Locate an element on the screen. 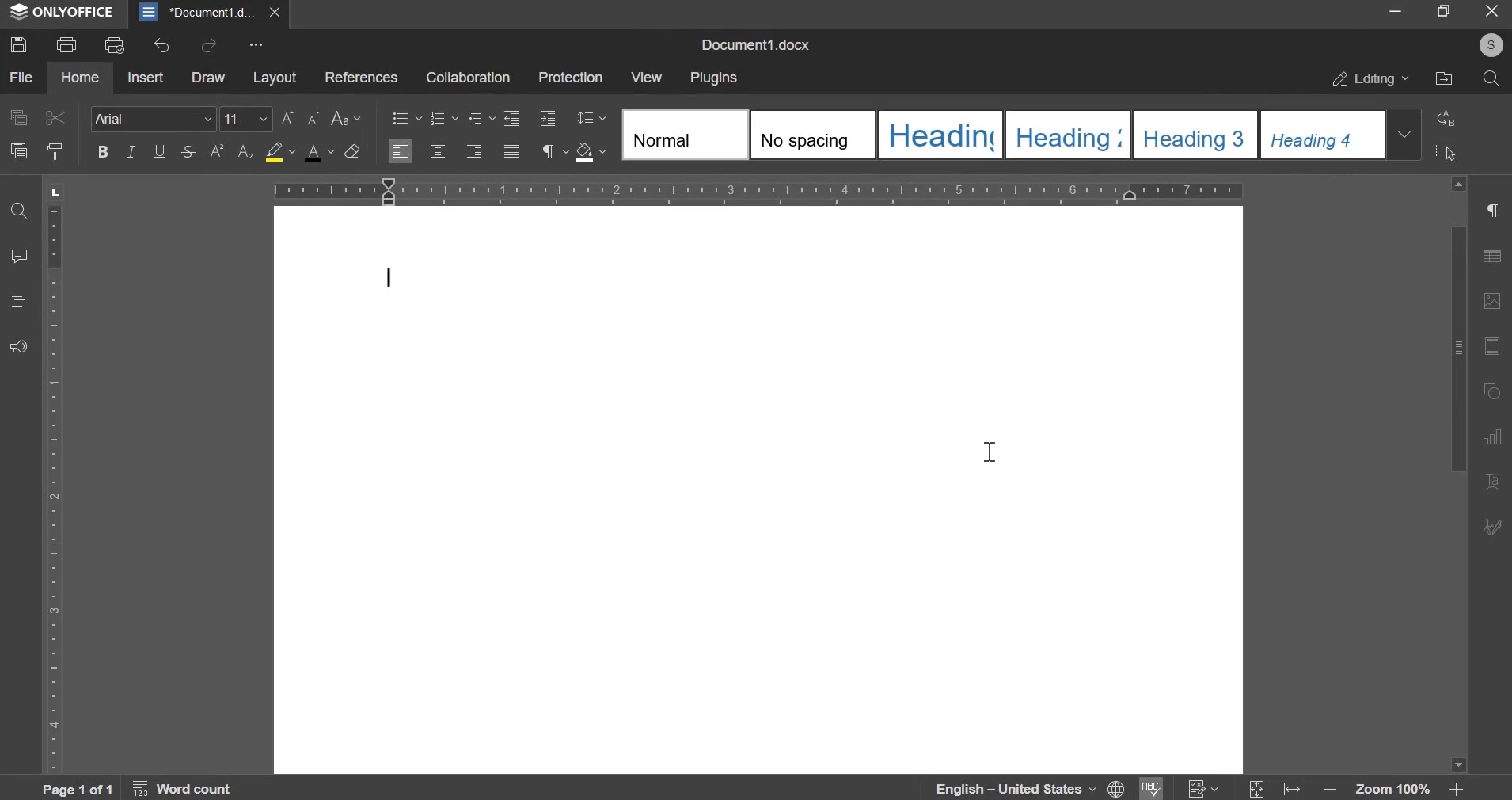 The height and width of the screenshot is (800, 1512). English — United States is located at coordinates (1016, 786).